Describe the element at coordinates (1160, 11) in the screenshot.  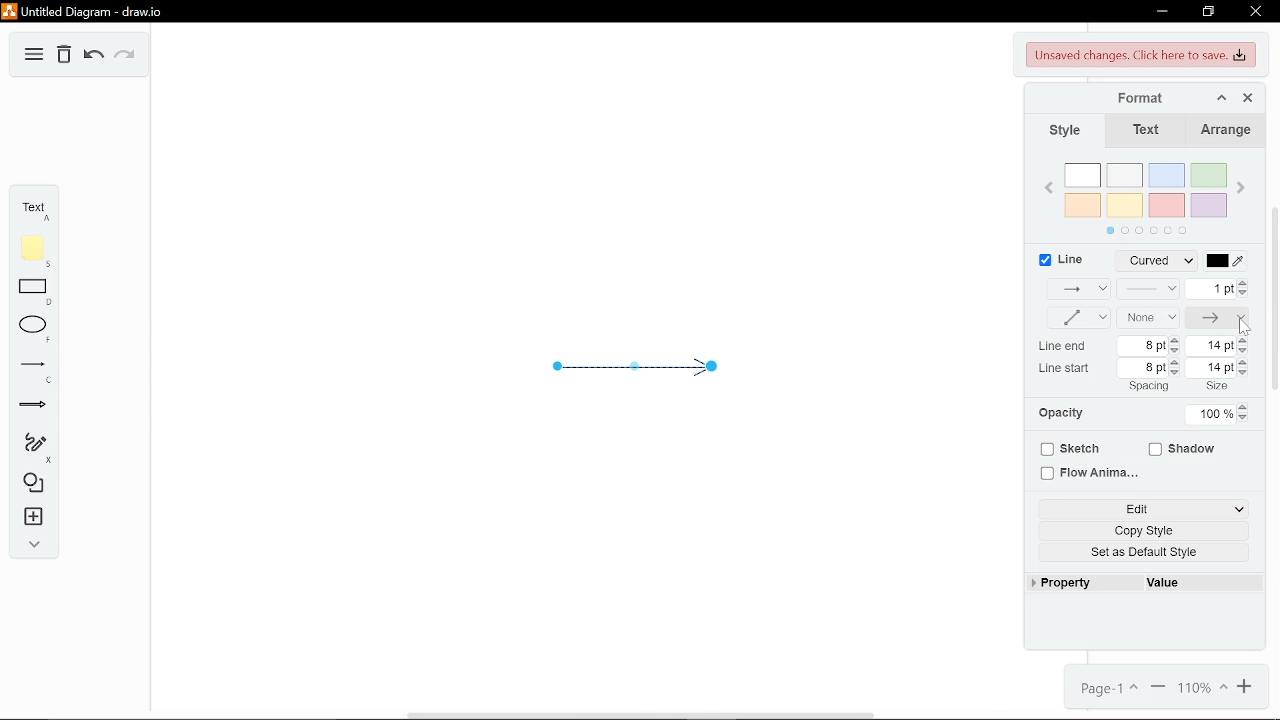
I see `Minimize` at that location.